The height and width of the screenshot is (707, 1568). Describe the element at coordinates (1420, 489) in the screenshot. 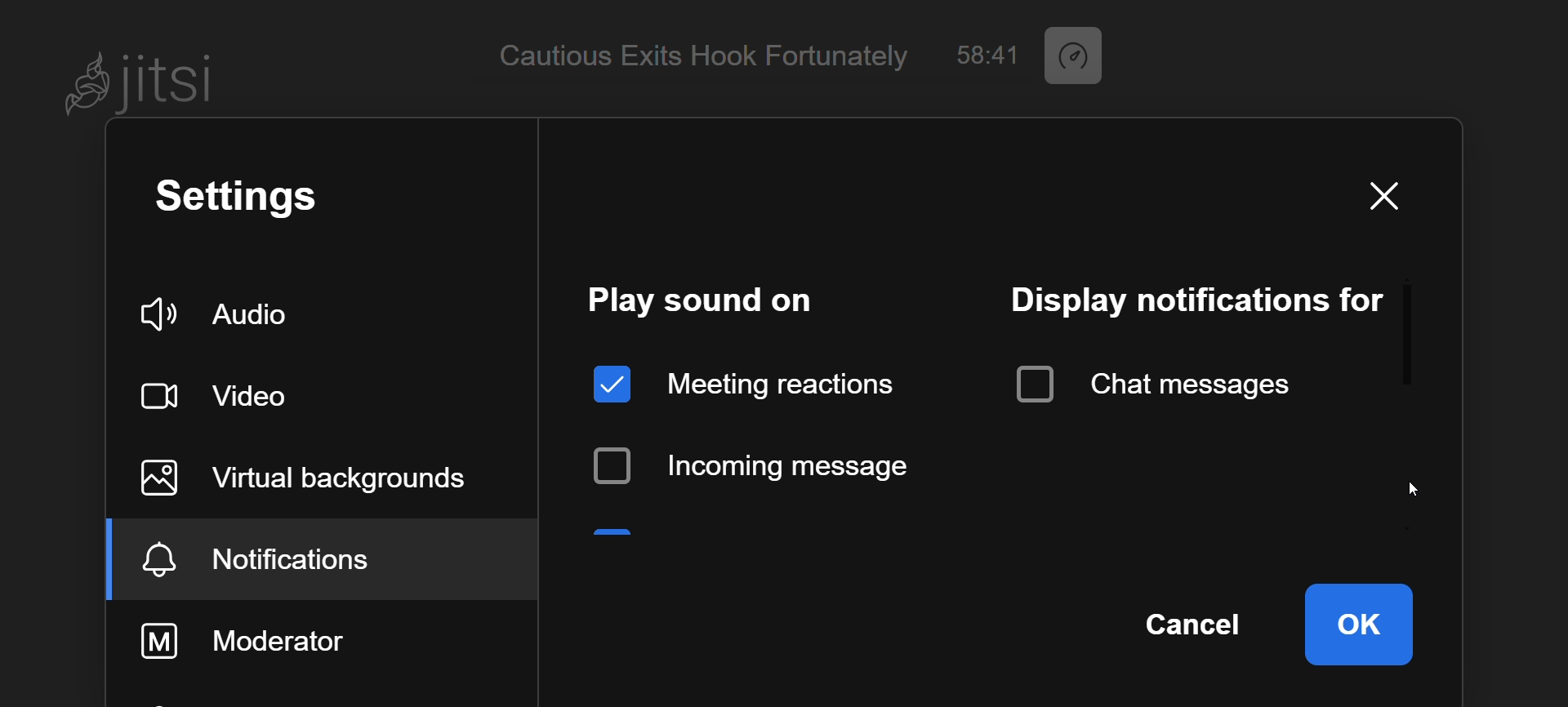

I see `cursor` at that location.